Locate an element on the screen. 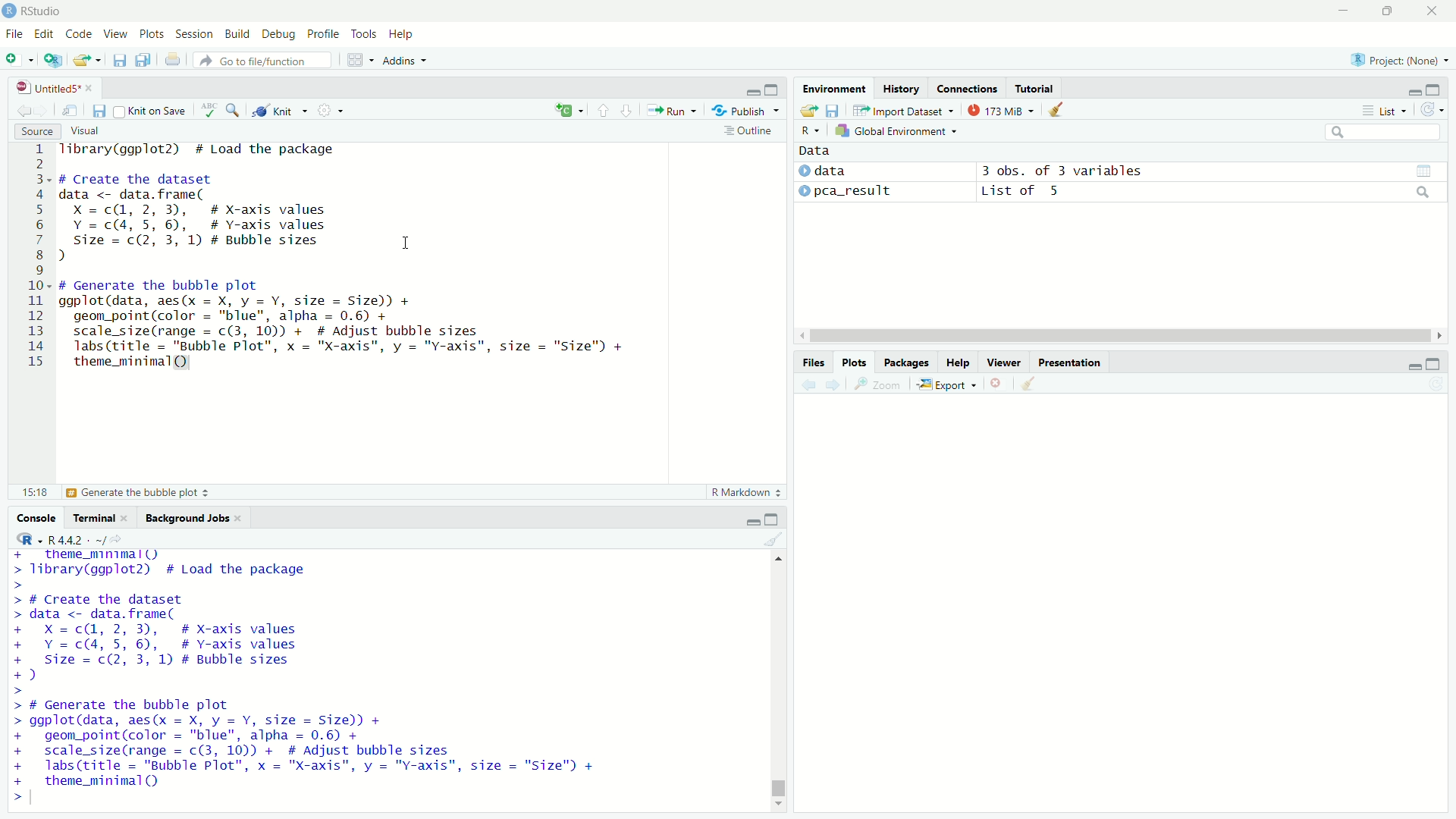  close is located at coordinates (1432, 11).